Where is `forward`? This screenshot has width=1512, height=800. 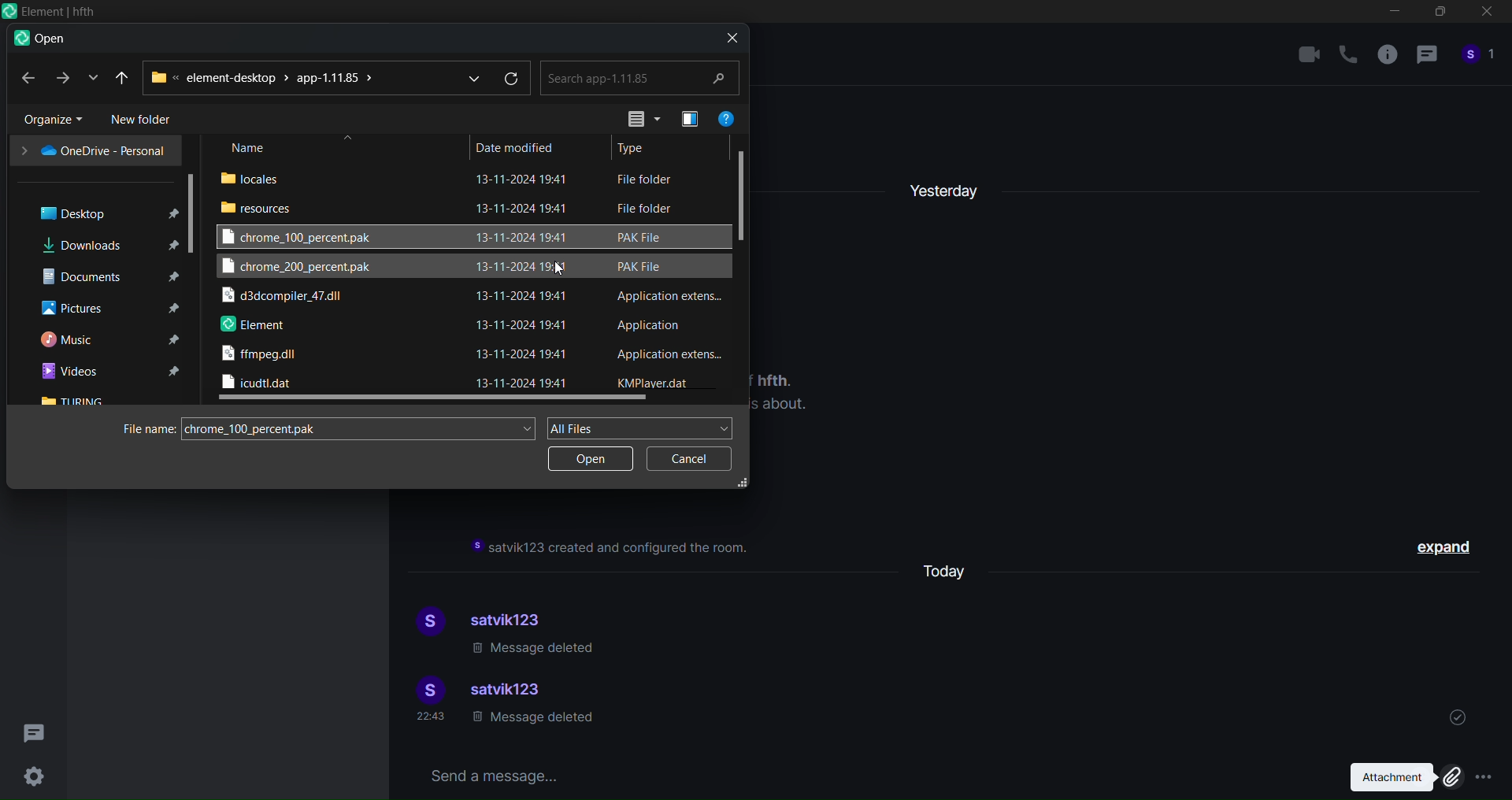
forward is located at coordinates (61, 78).